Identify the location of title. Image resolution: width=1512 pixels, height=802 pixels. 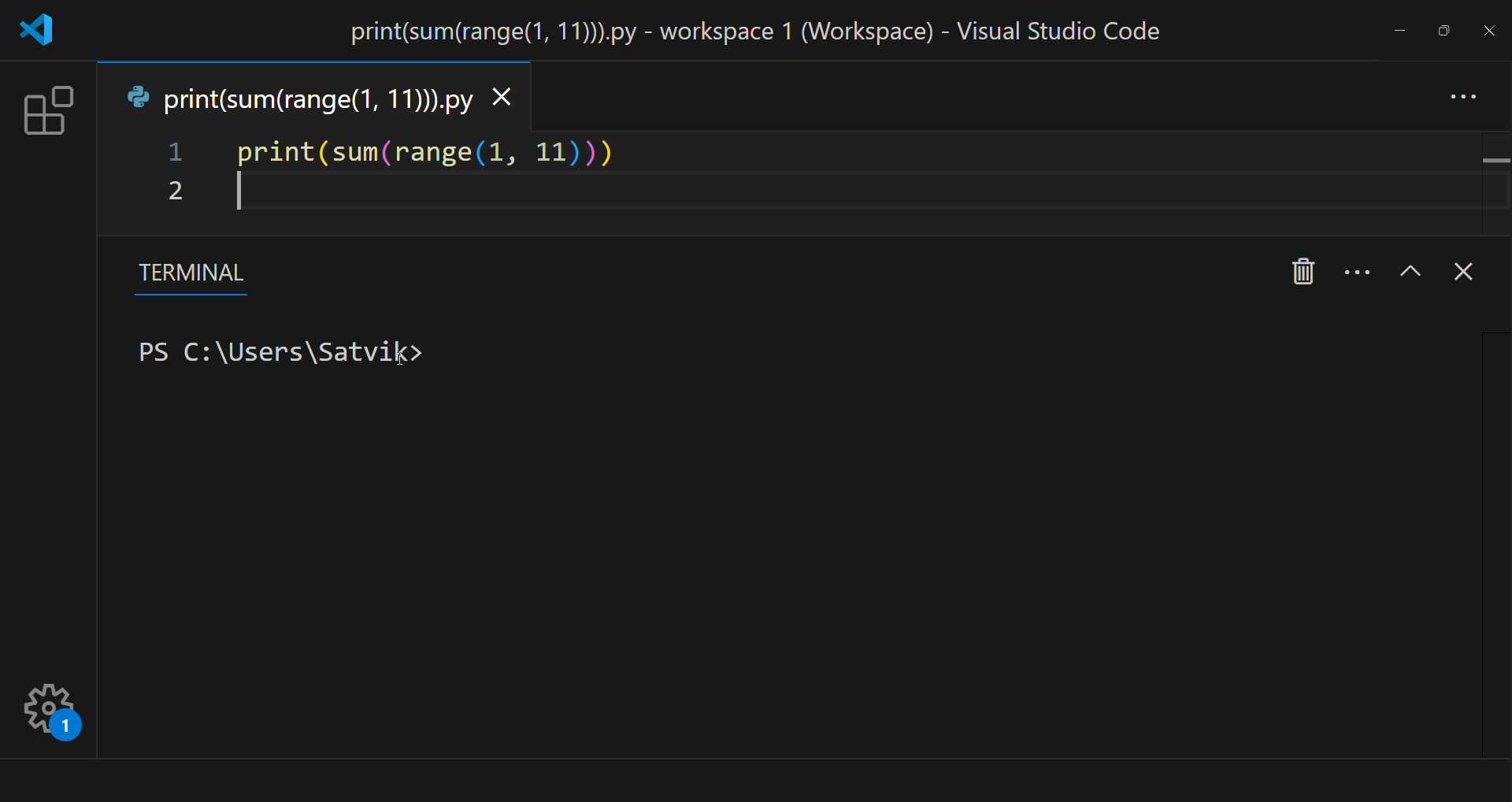
(757, 30).